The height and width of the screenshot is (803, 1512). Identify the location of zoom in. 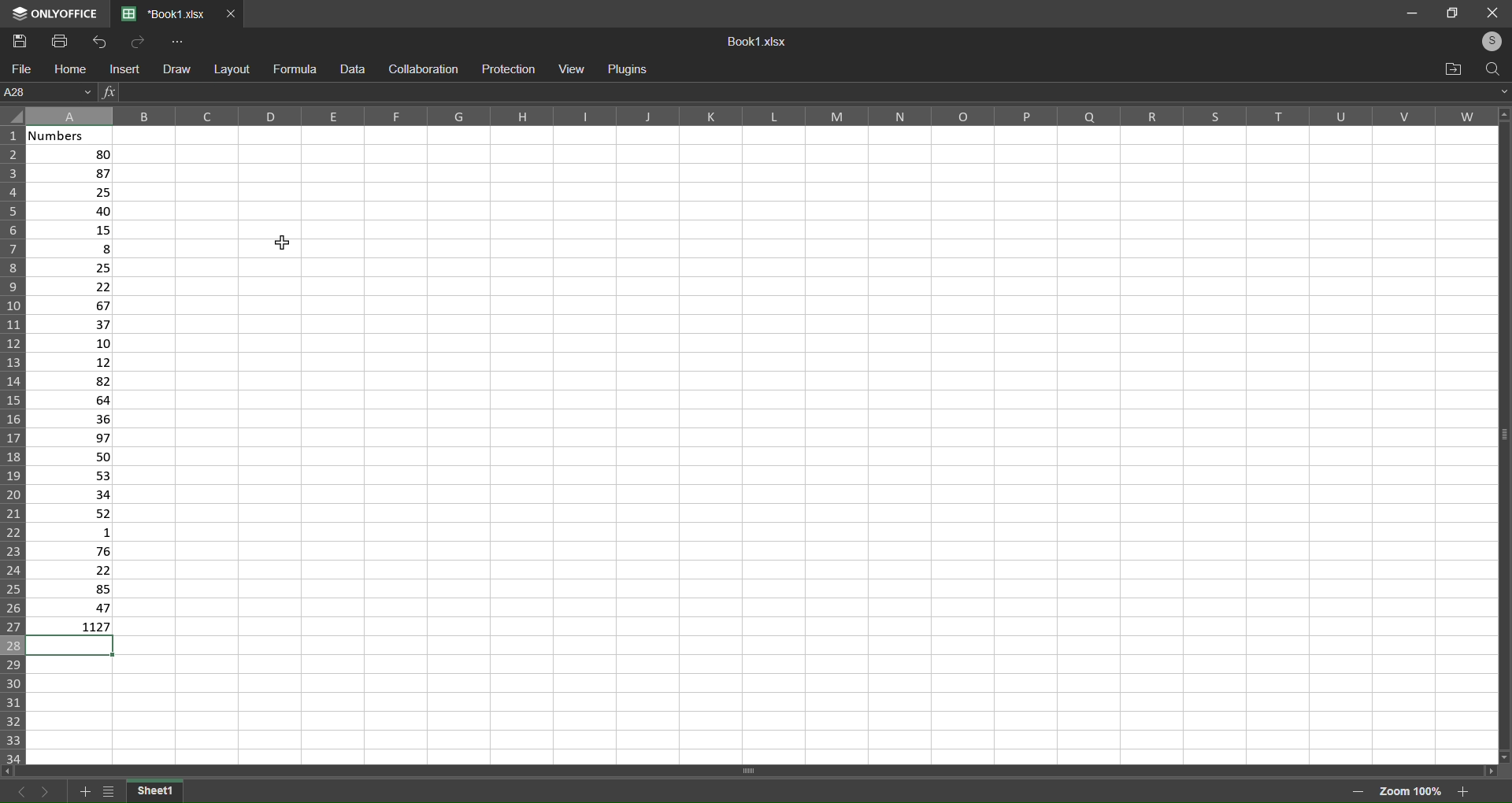
(1461, 790).